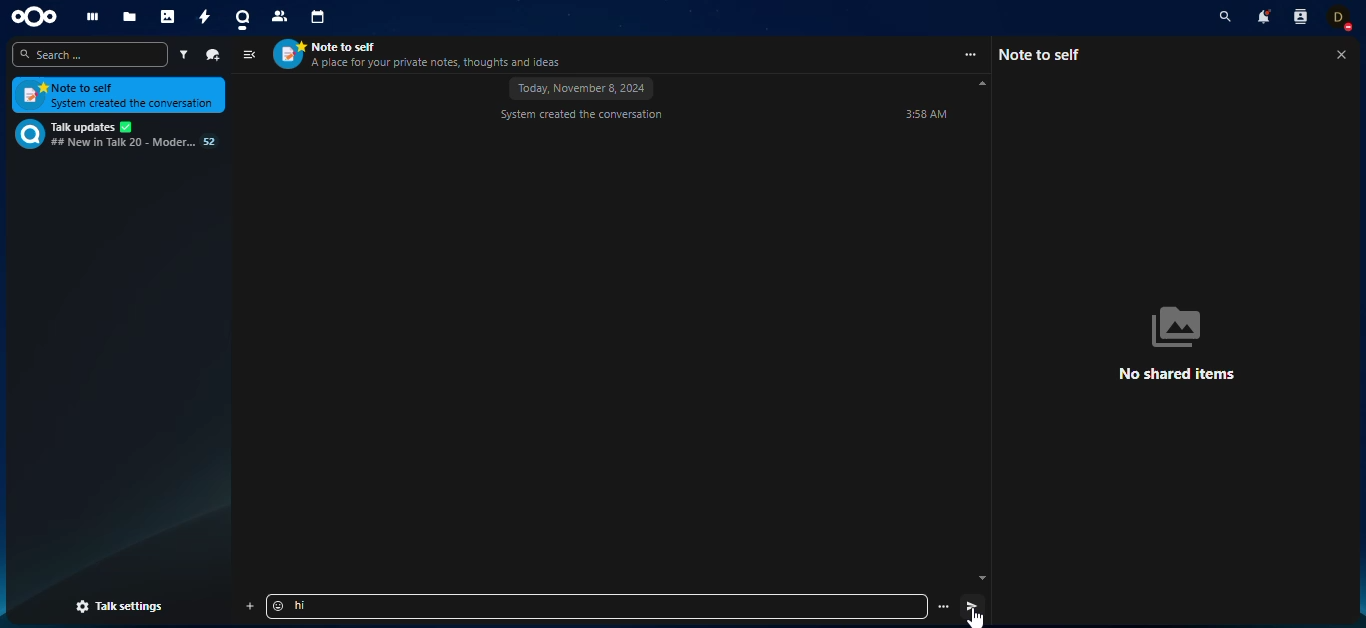  What do you see at coordinates (214, 54) in the screenshot?
I see `new chat` at bounding box center [214, 54].